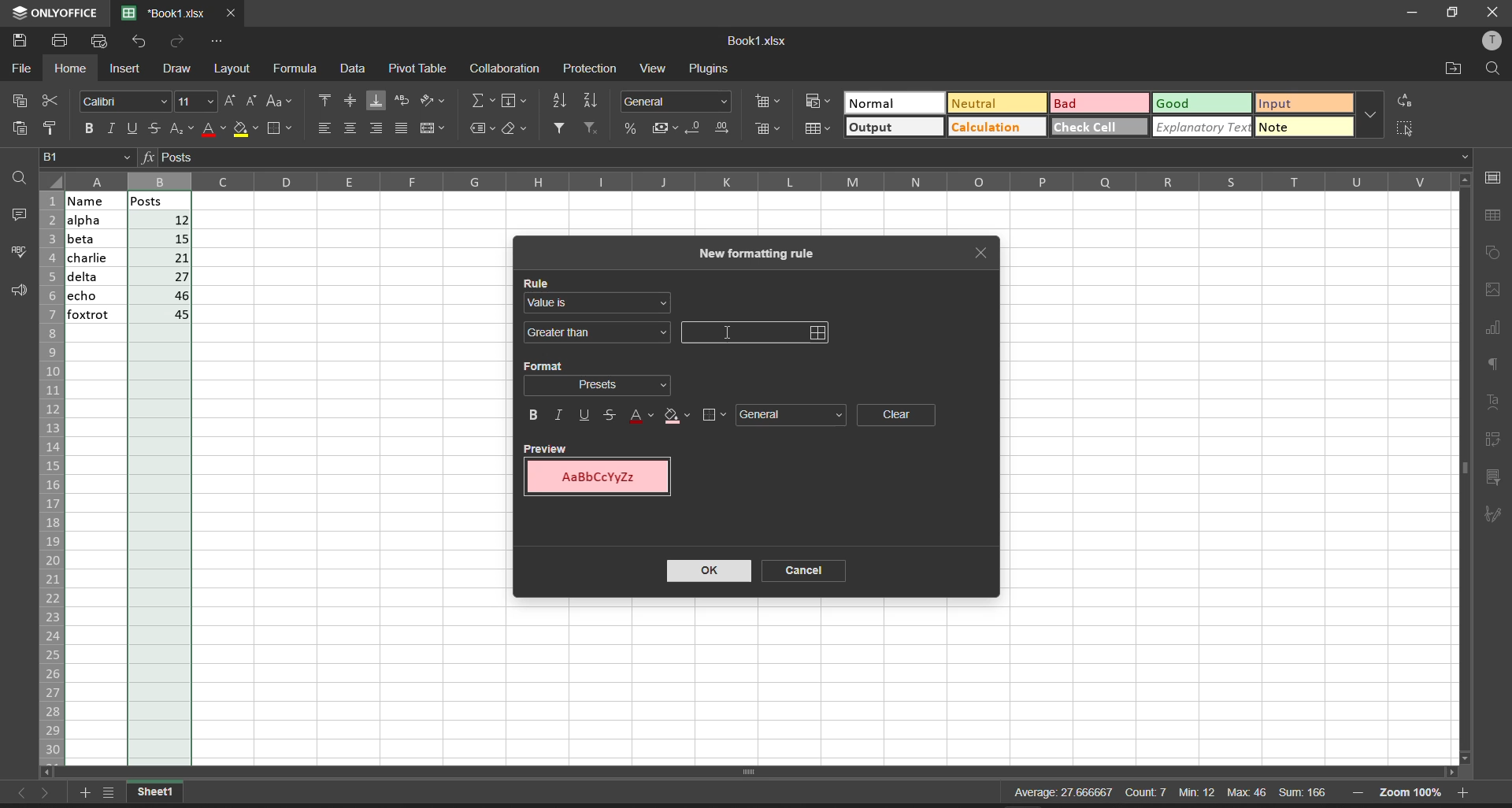  What do you see at coordinates (1358, 791) in the screenshot?
I see `zoom out` at bounding box center [1358, 791].